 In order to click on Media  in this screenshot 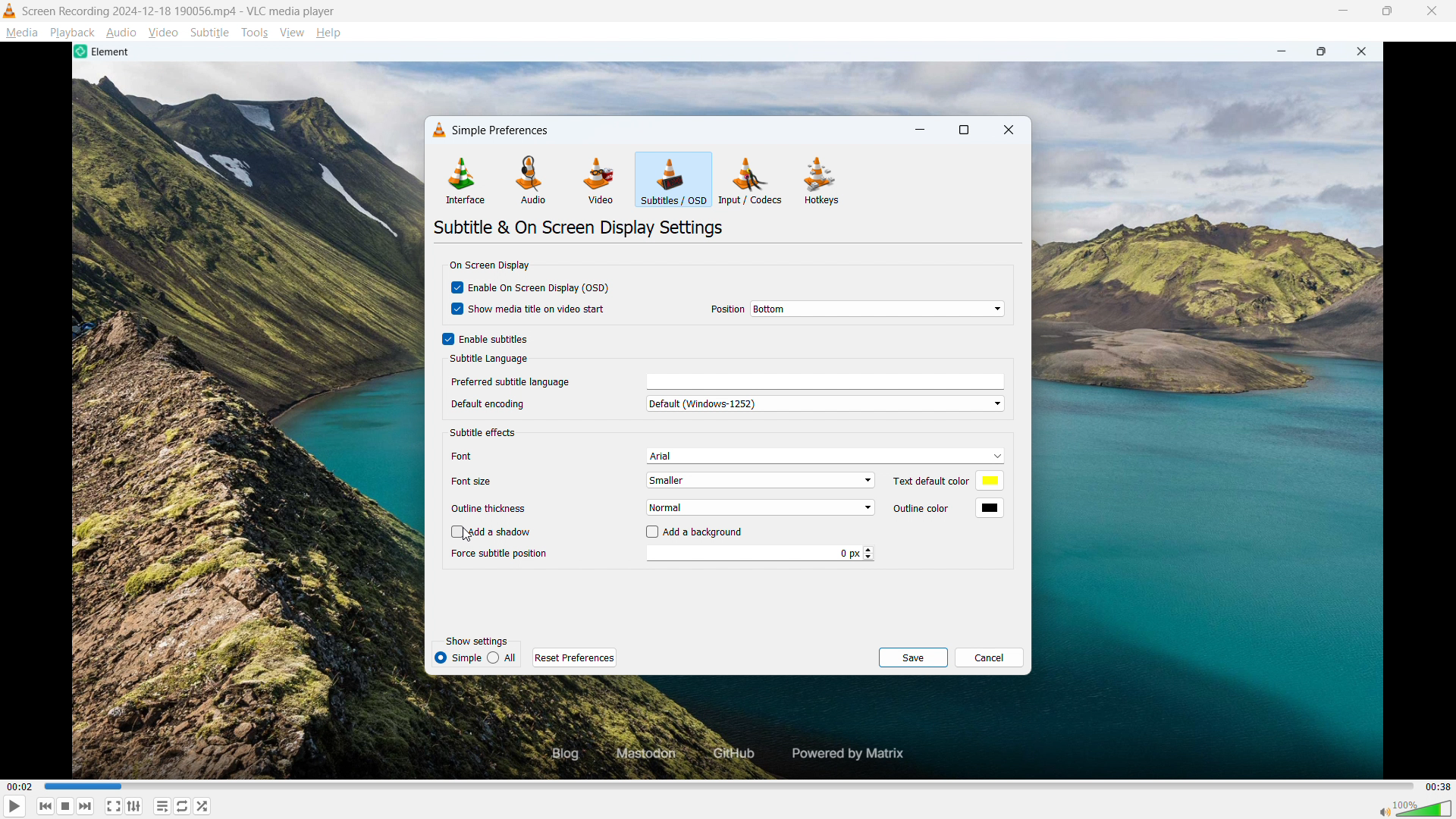, I will do `click(21, 33)`.